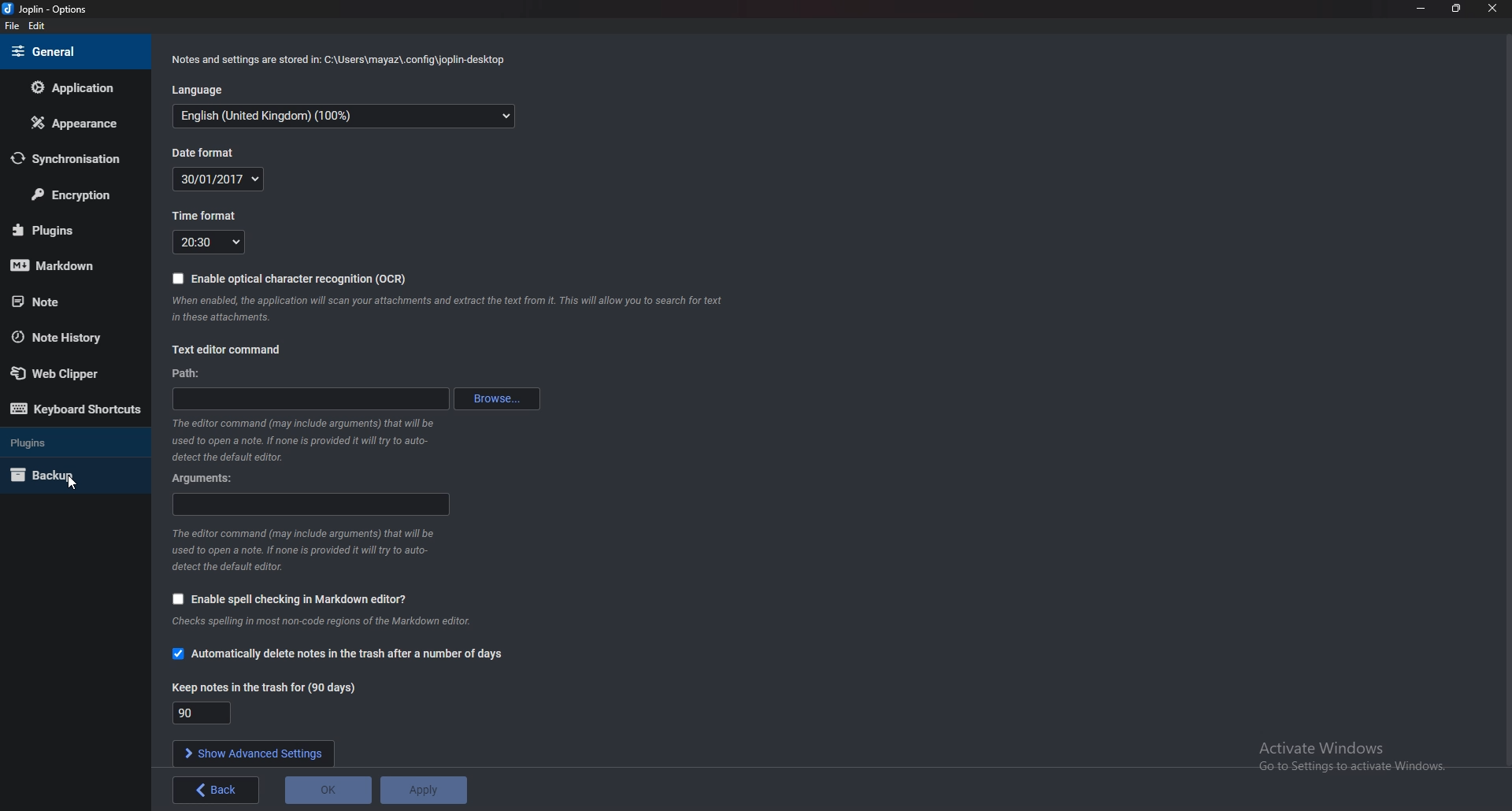 The width and height of the screenshot is (1512, 811). Describe the element at coordinates (217, 179) in the screenshot. I see `Date format` at that location.